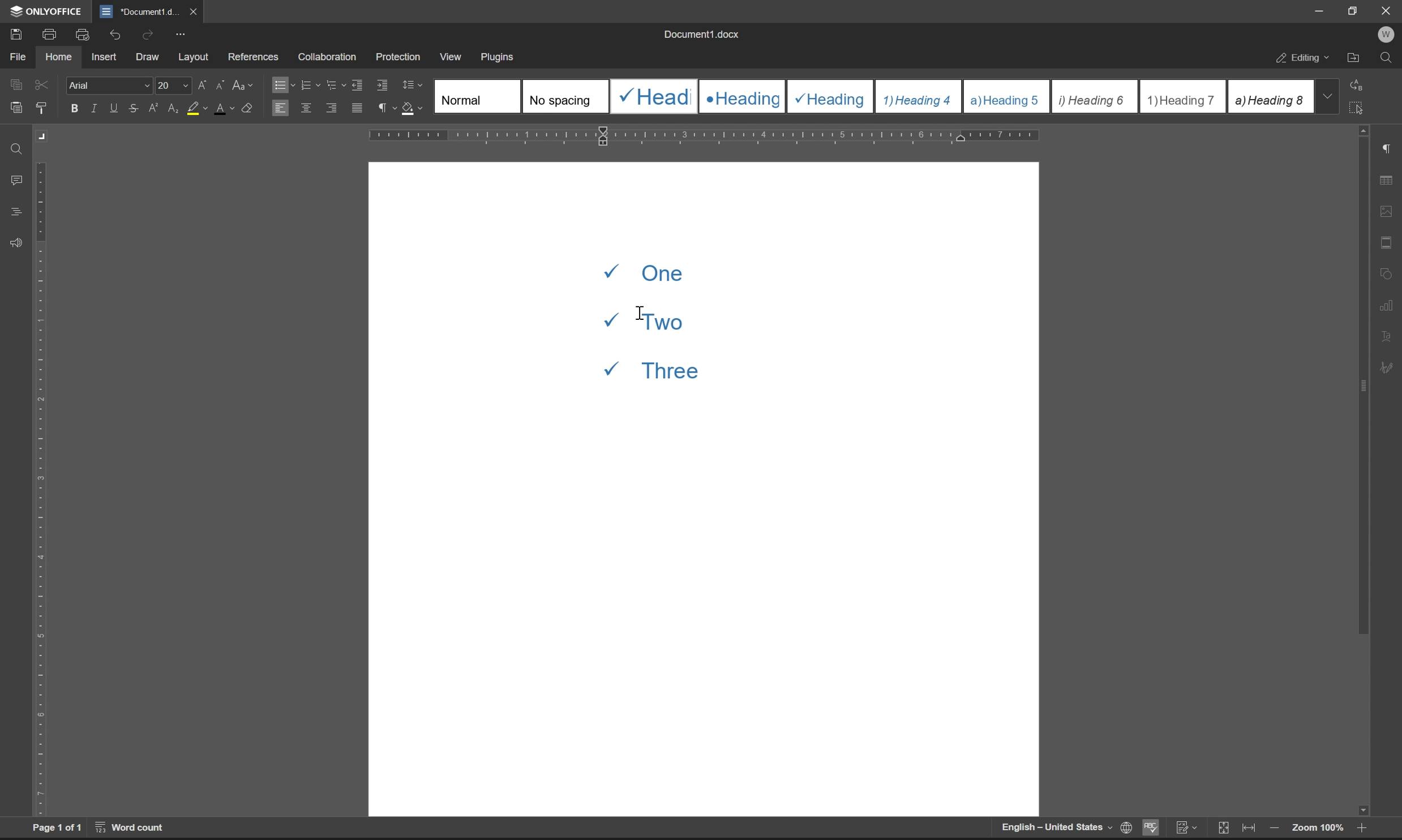  I want to click on ONLYOFFICE, so click(48, 11).